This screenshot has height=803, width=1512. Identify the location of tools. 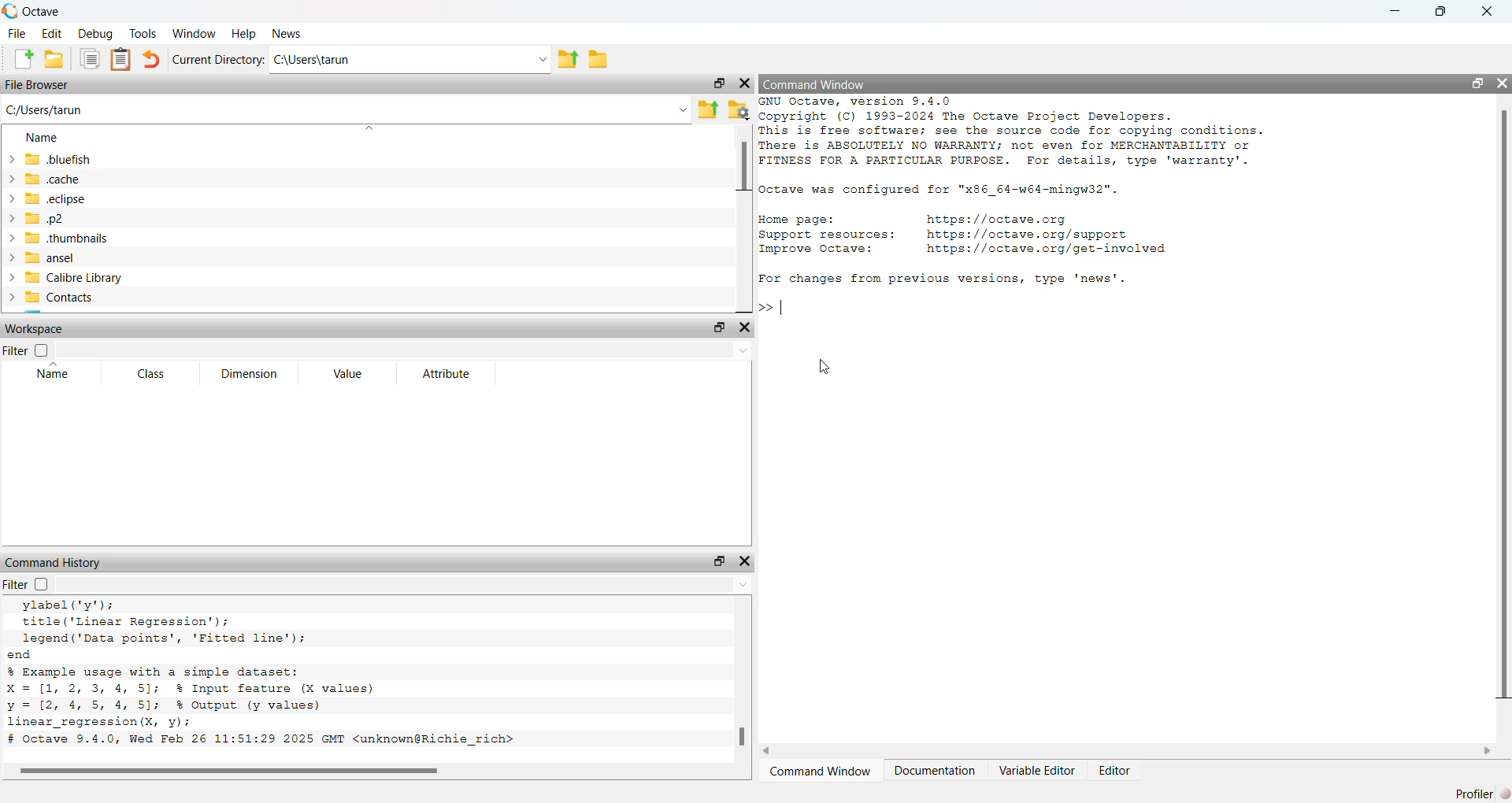
(142, 32).